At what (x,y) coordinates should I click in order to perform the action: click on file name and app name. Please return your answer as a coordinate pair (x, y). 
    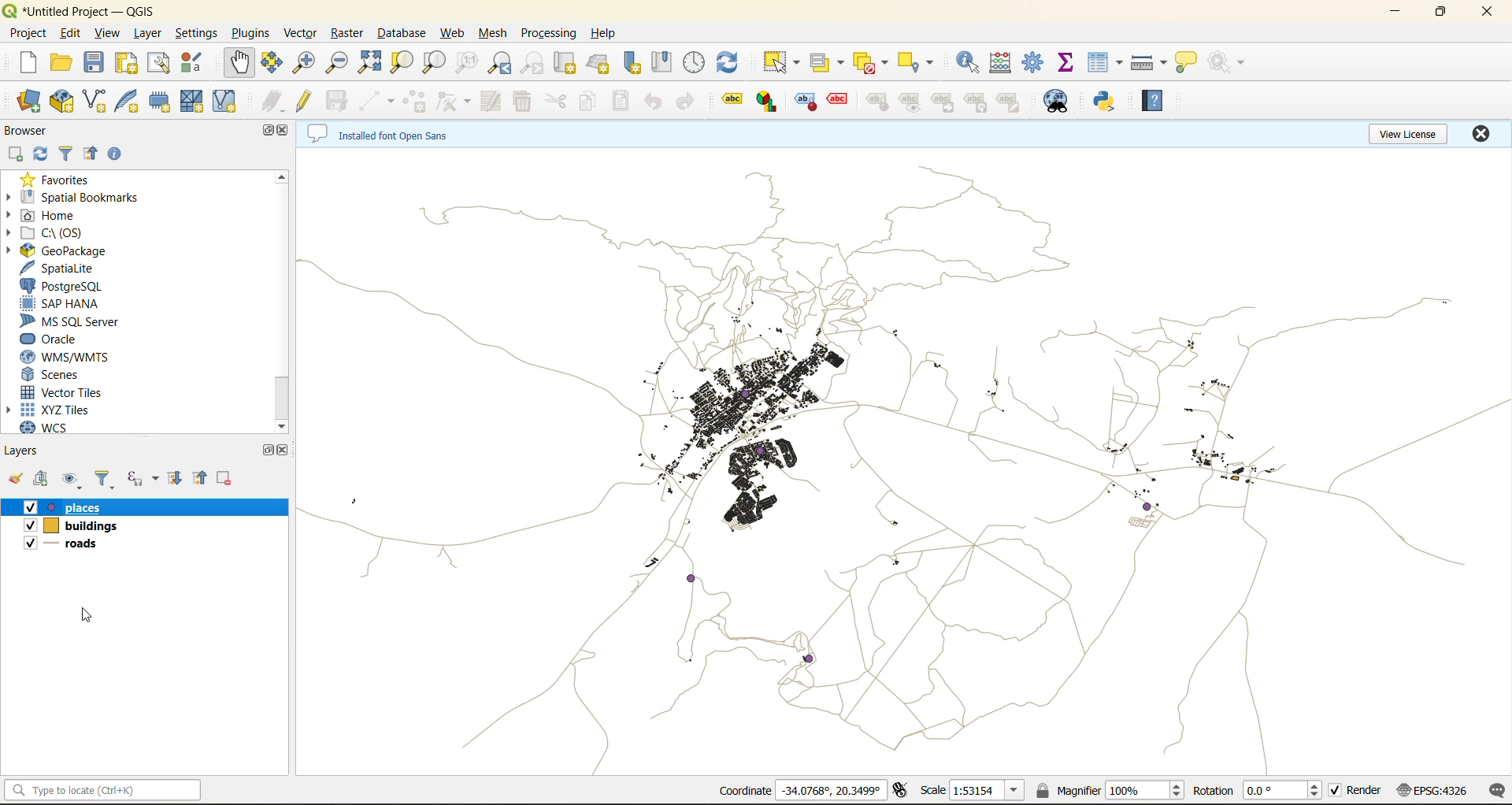
    Looking at the image, I should click on (83, 12).